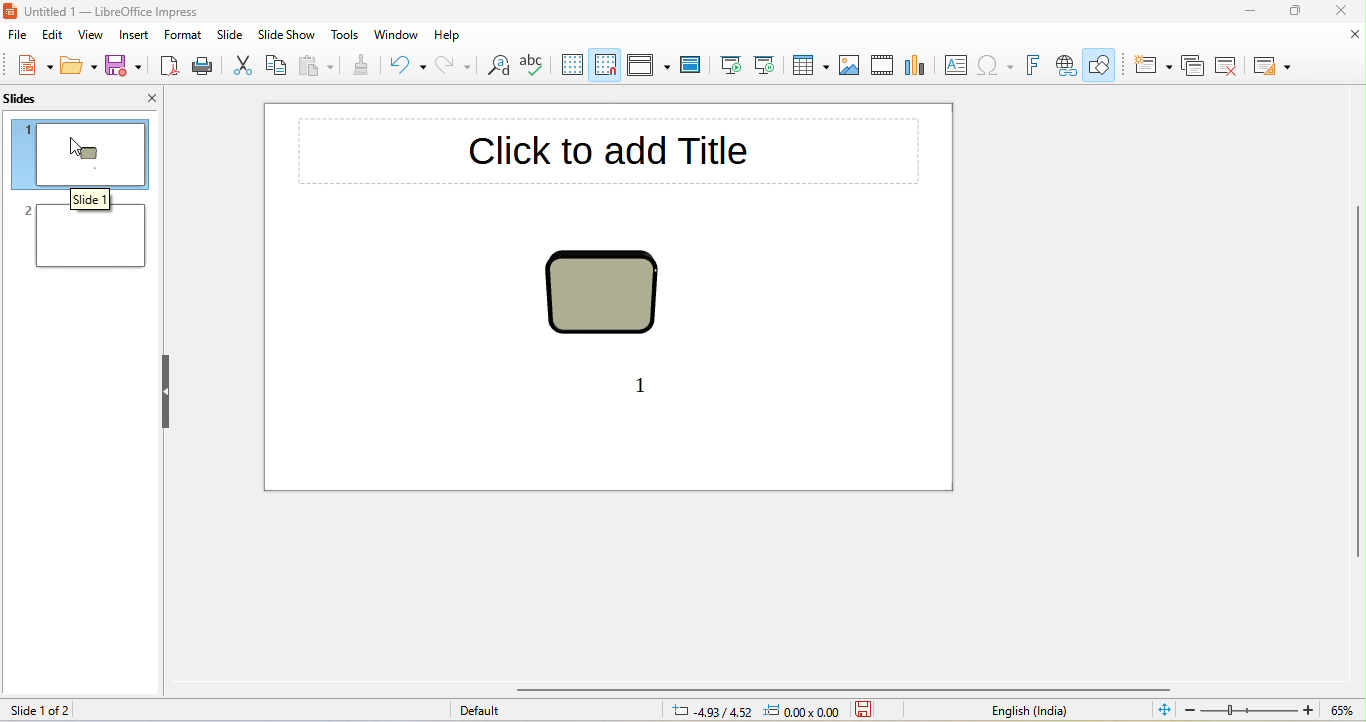 The height and width of the screenshot is (722, 1366). I want to click on clone formatting, so click(364, 68).